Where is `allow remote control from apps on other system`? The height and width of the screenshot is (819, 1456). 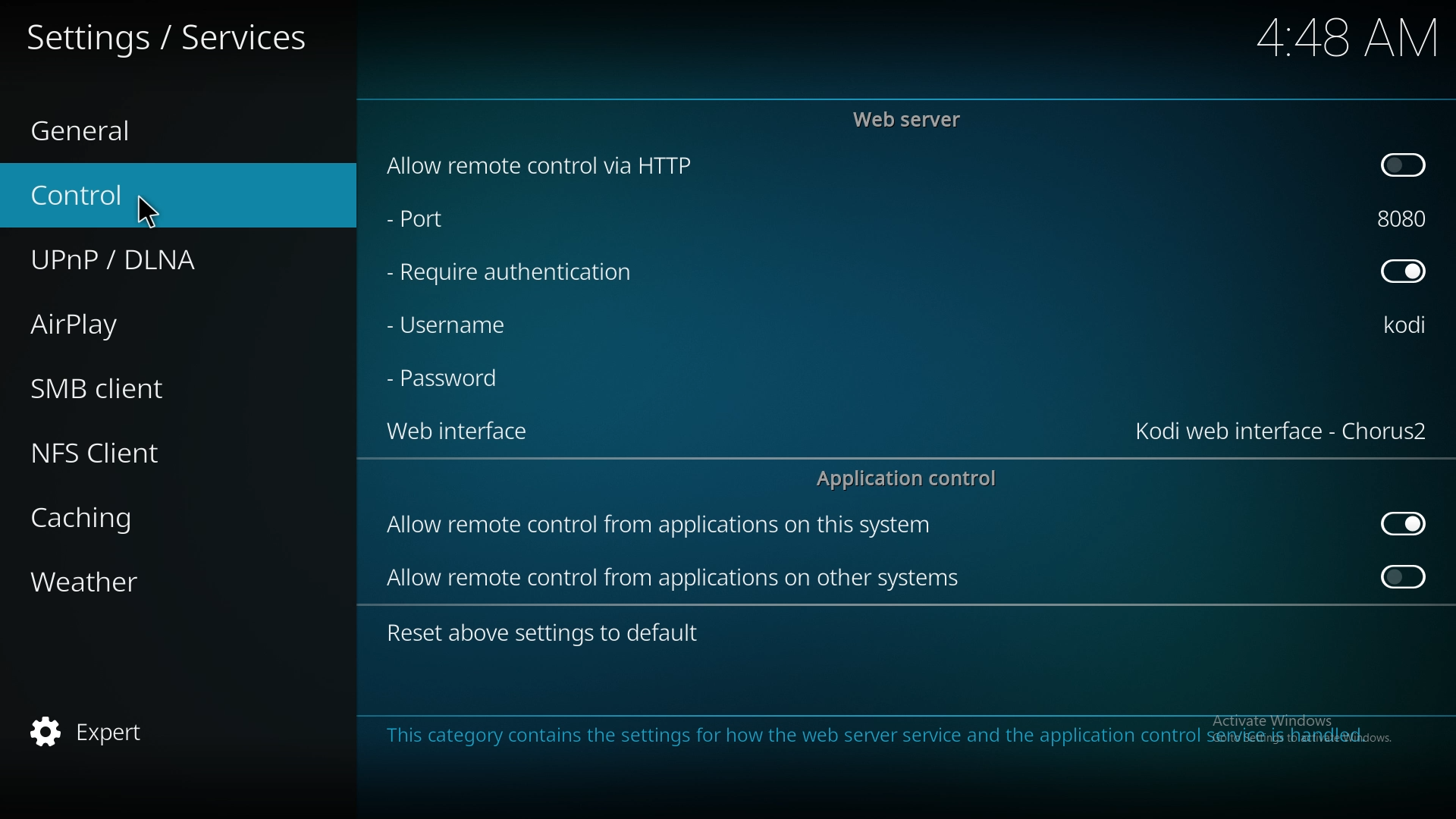
allow remote control from apps on other system is located at coordinates (681, 580).